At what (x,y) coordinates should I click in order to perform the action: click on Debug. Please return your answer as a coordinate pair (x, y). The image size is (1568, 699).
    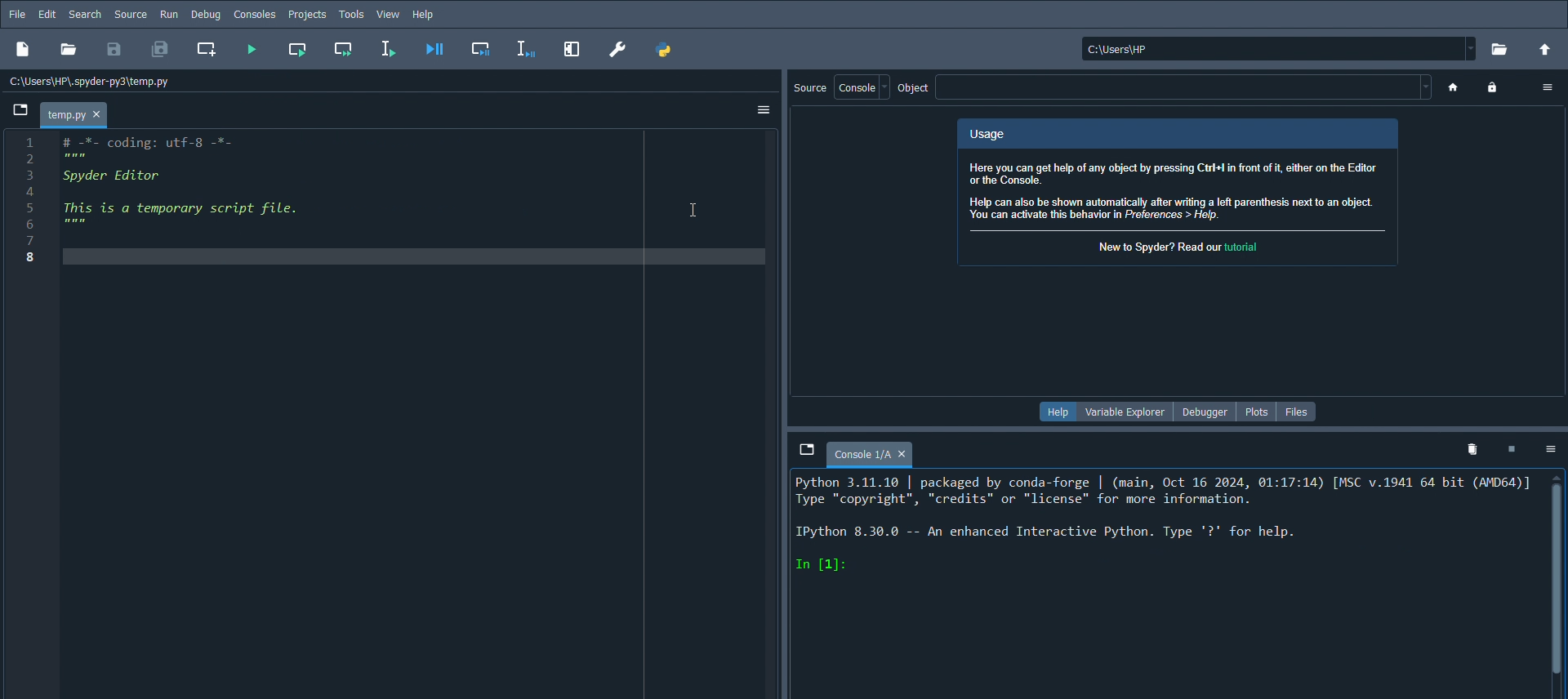
    Looking at the image, I should click on (207, 14).